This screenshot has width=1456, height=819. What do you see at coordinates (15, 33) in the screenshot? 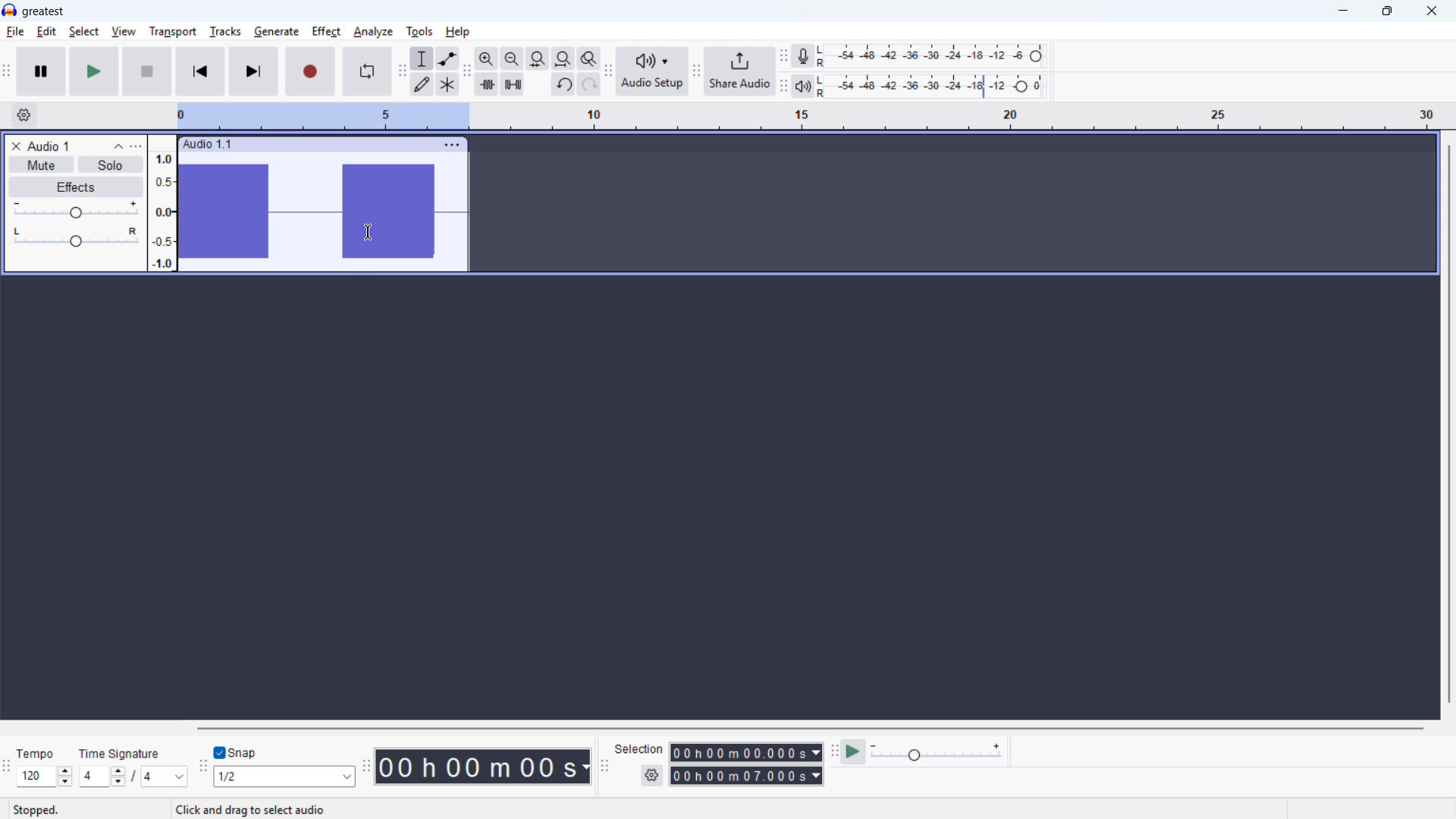
I see `file` at bounding box center [15, 33].